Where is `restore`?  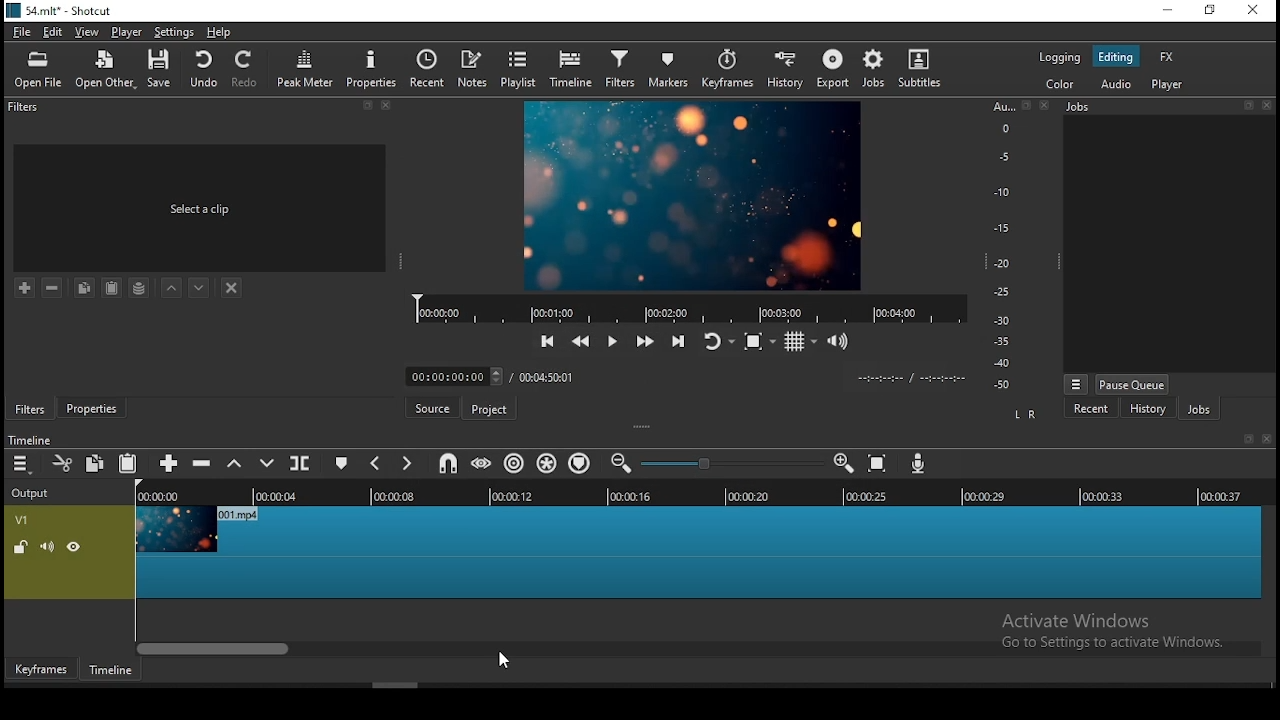
restore is located at coordinates (1026, 106).